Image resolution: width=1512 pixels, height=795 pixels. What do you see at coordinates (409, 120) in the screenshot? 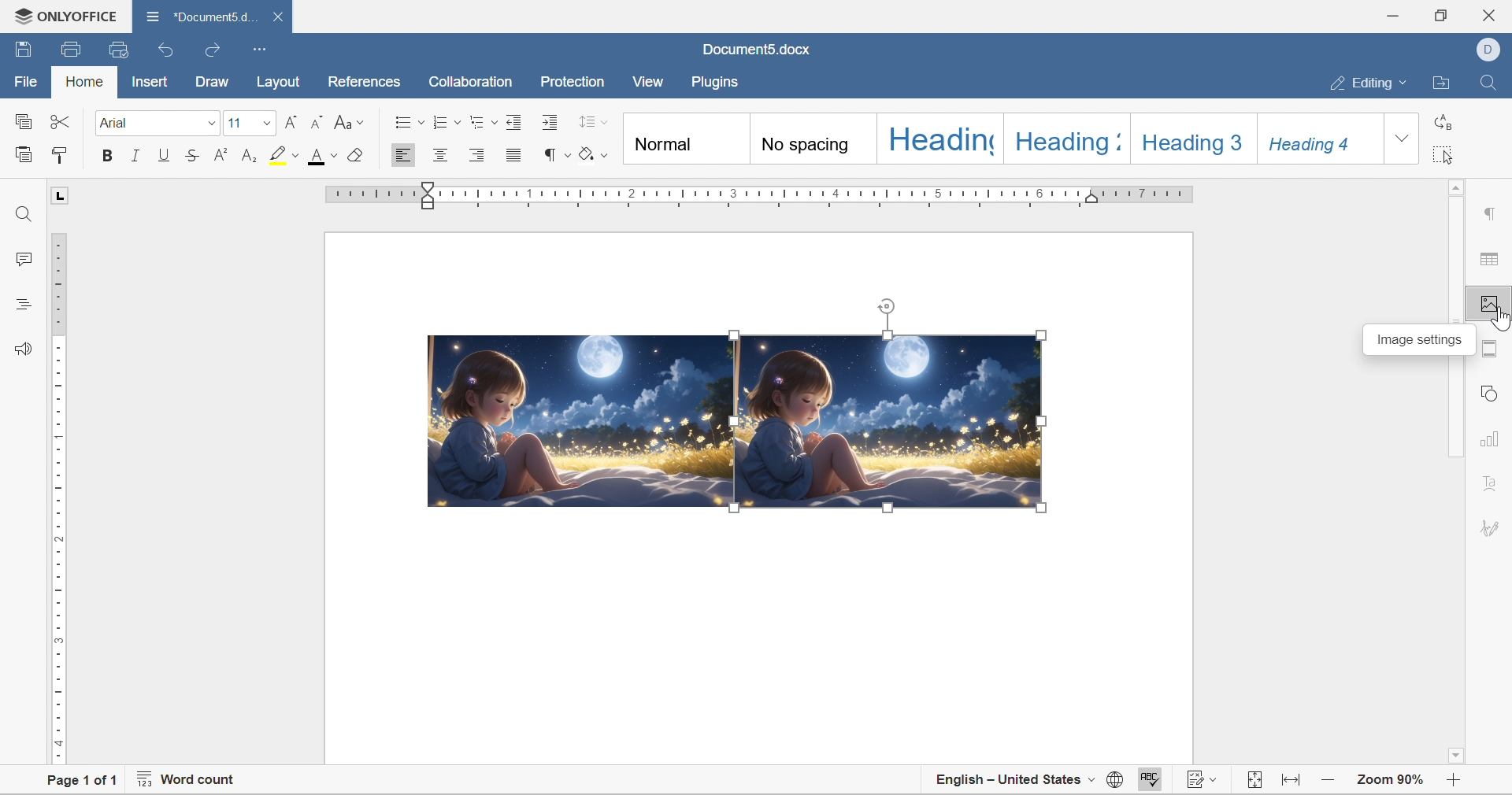
I see `bullets` at bounding box center [409, 120].